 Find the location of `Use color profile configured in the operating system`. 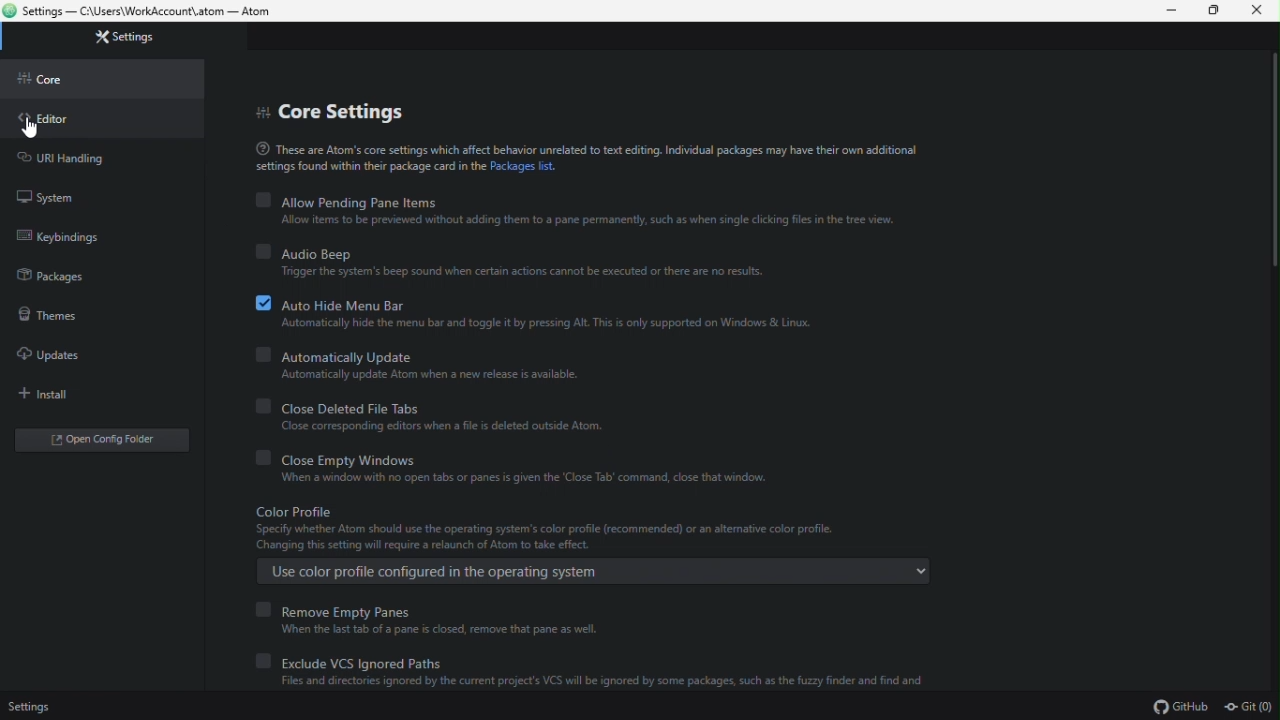

Use color profile configured in the operating system is located at coordinates (592, 574).